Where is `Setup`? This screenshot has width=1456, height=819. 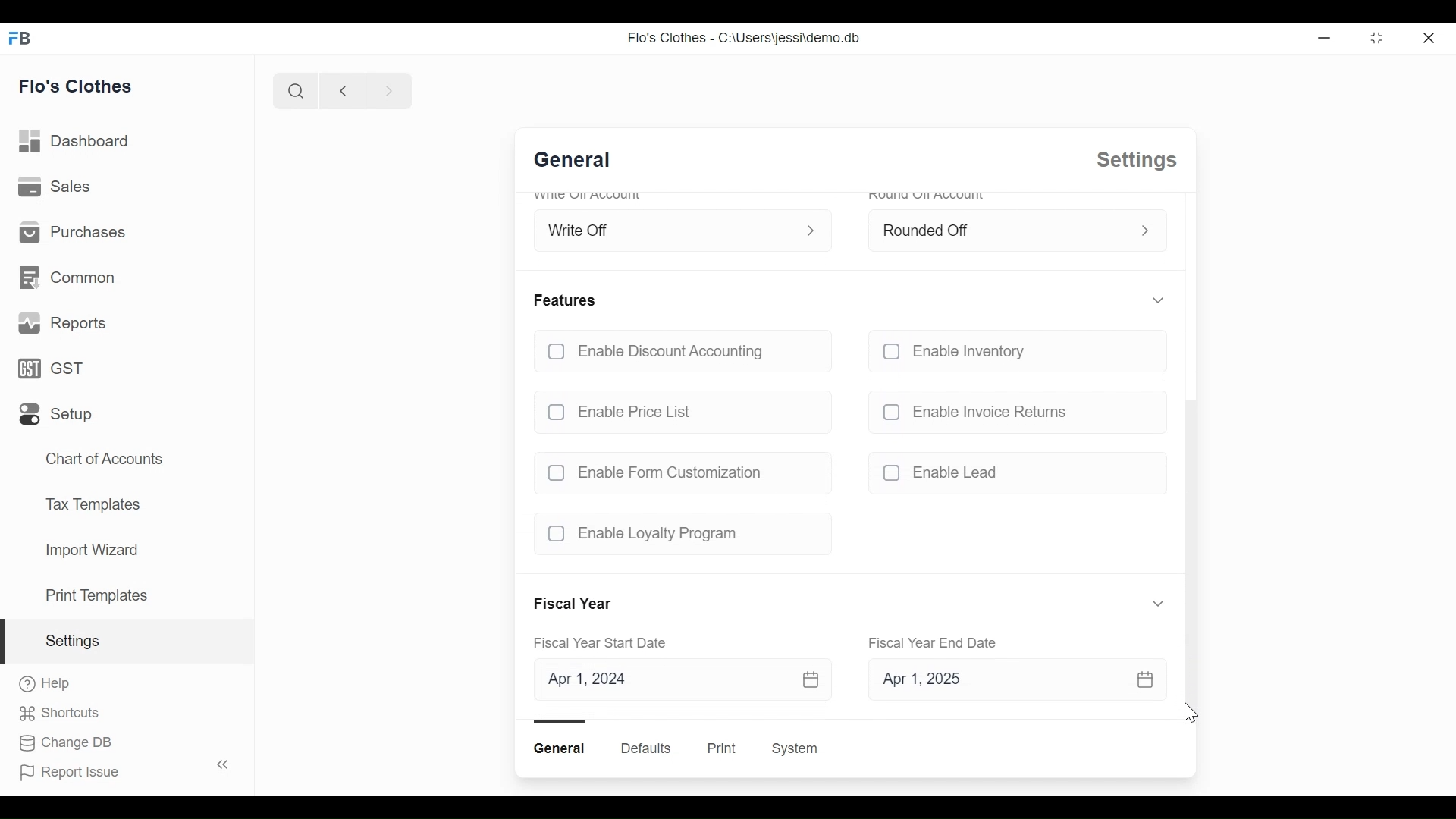
Setup is located at coordinates (58, 414).